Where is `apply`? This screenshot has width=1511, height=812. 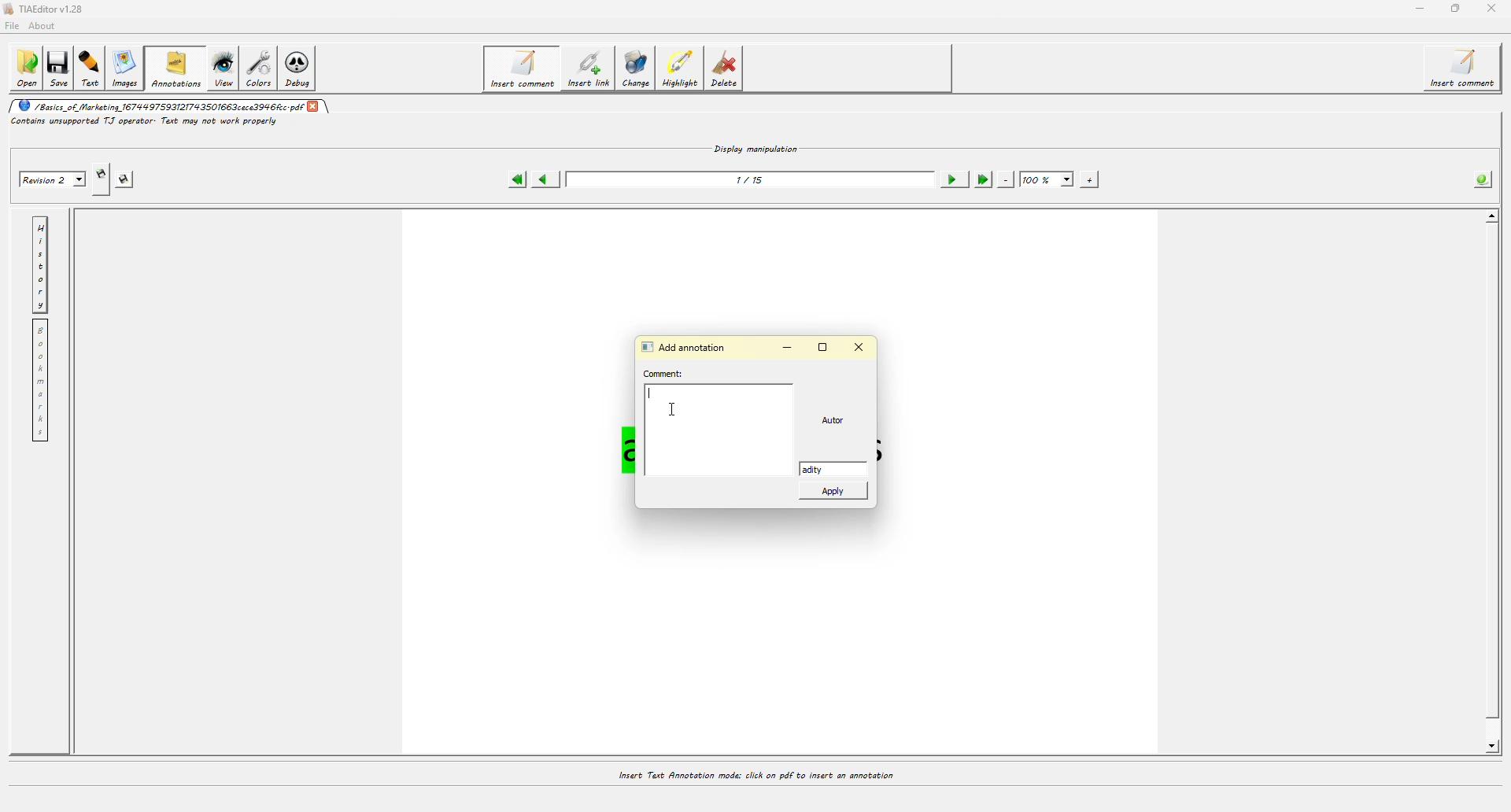 apply is located at coordinates (836, 494).